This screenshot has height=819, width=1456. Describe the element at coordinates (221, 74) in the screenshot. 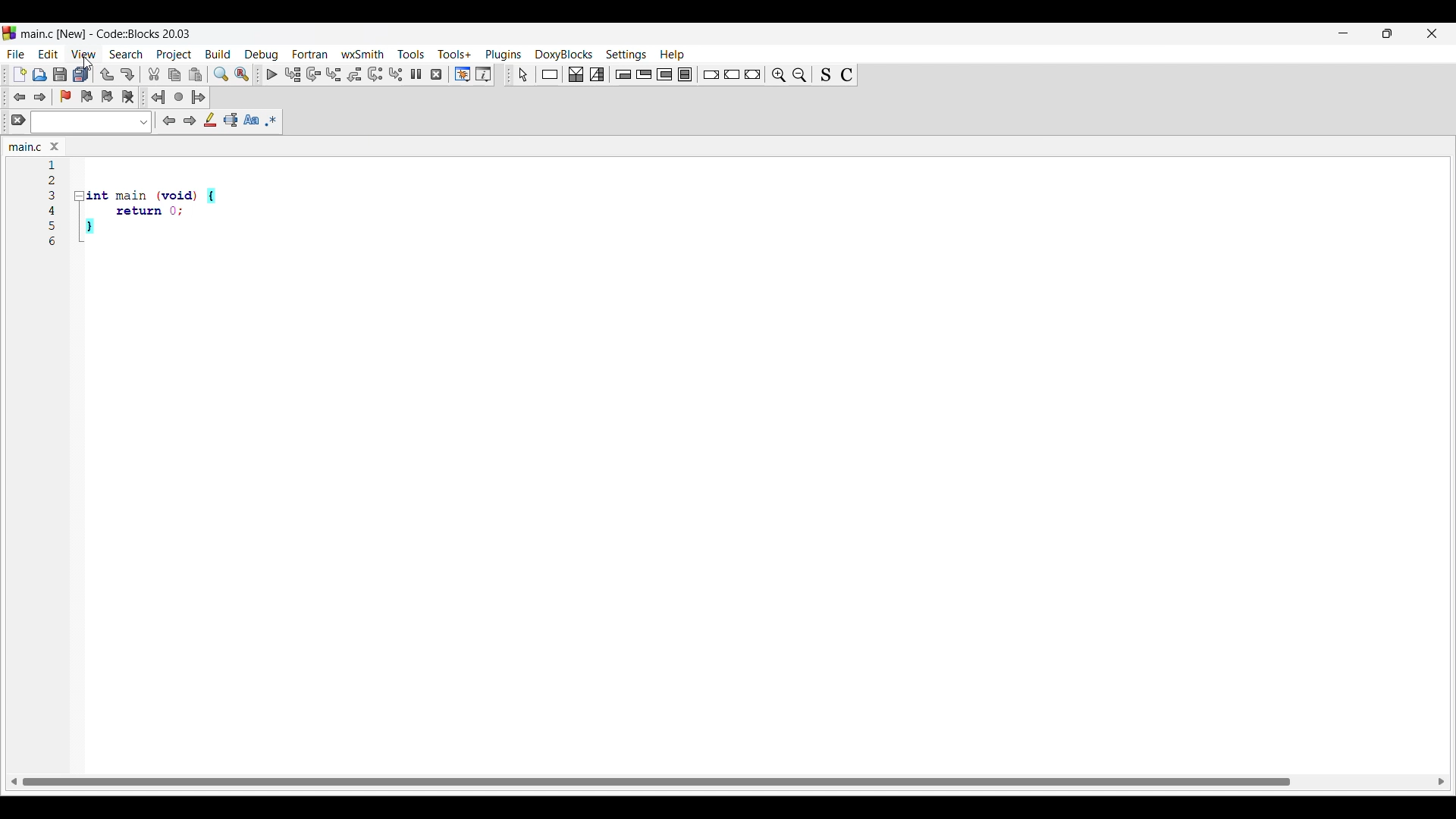

I see `Find` at that location.